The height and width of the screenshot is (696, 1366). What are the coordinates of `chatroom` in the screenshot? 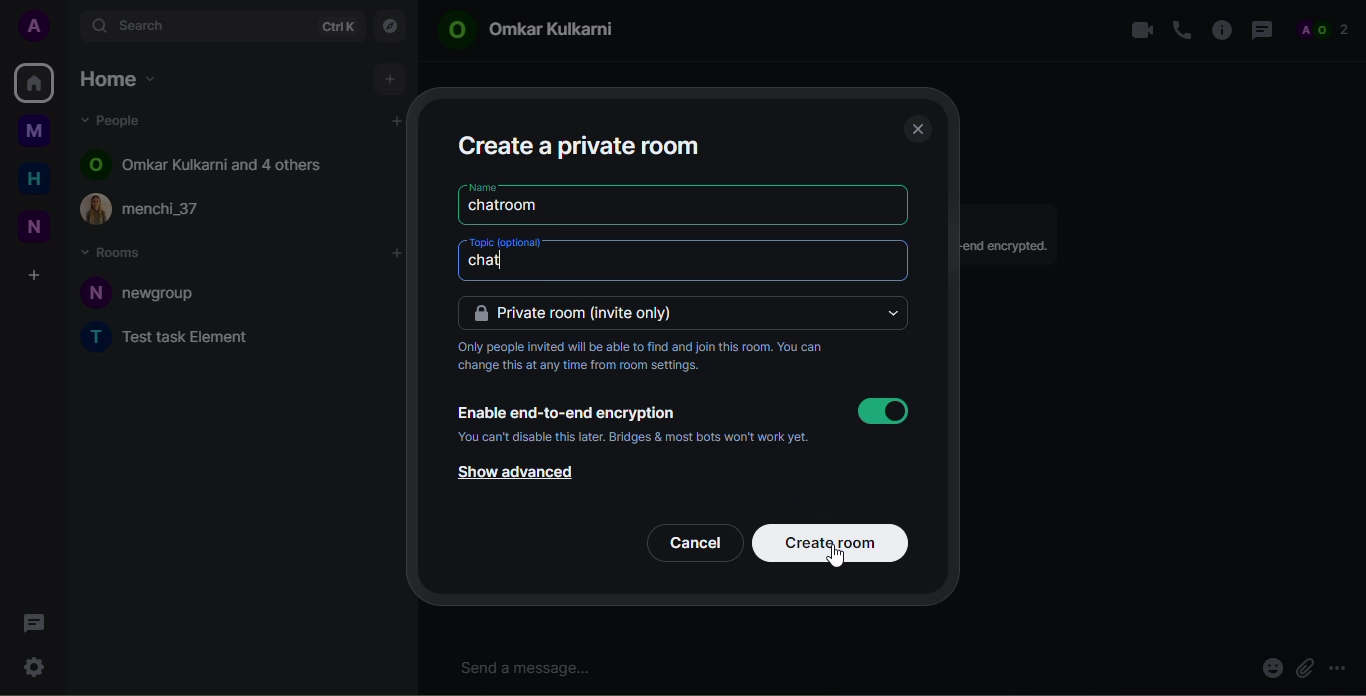 It's located at (507, 206).